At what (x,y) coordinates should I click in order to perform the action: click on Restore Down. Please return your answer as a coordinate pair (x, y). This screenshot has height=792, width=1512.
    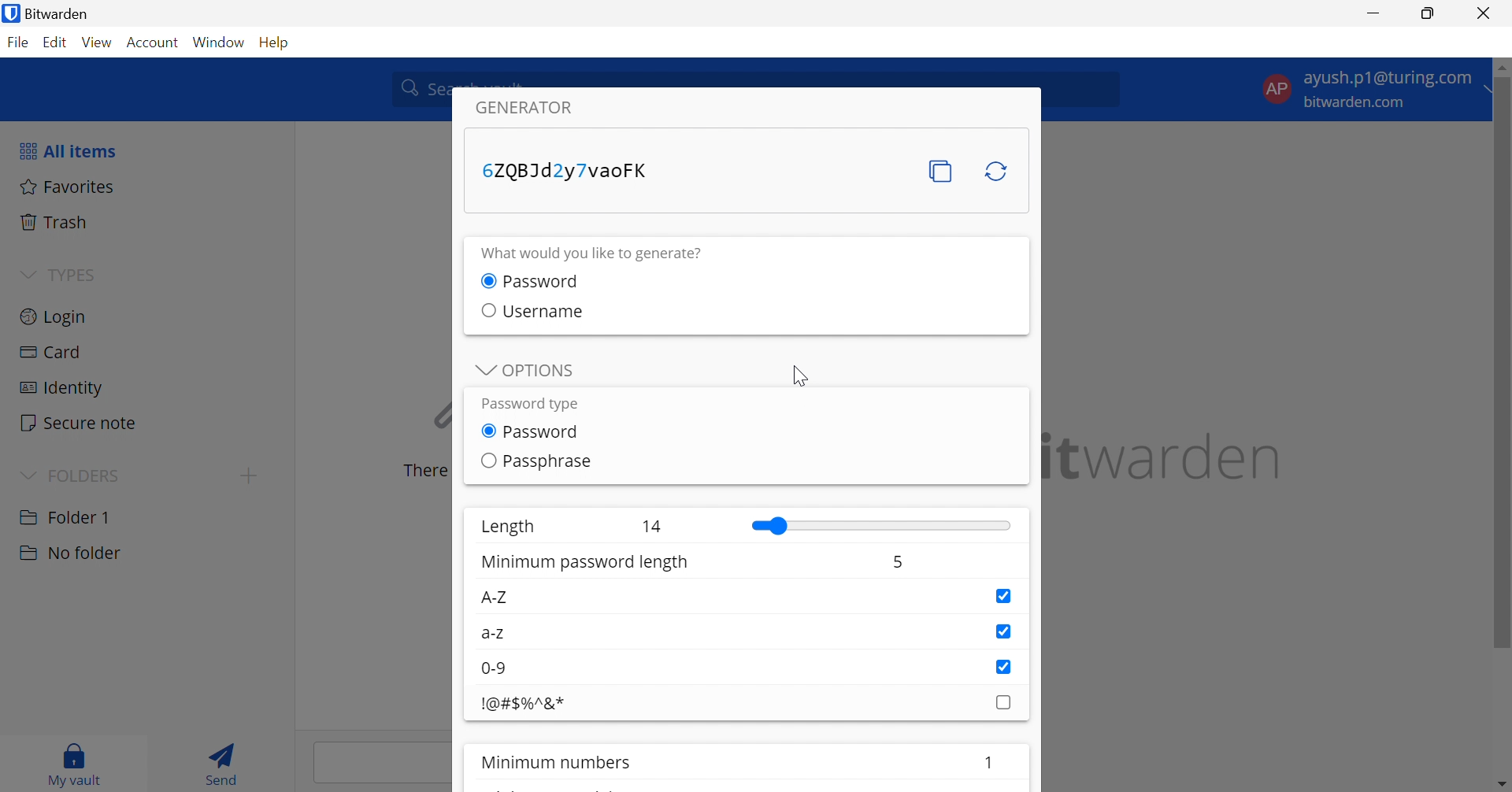
    Looking at the image, I should click on (1429, 13).